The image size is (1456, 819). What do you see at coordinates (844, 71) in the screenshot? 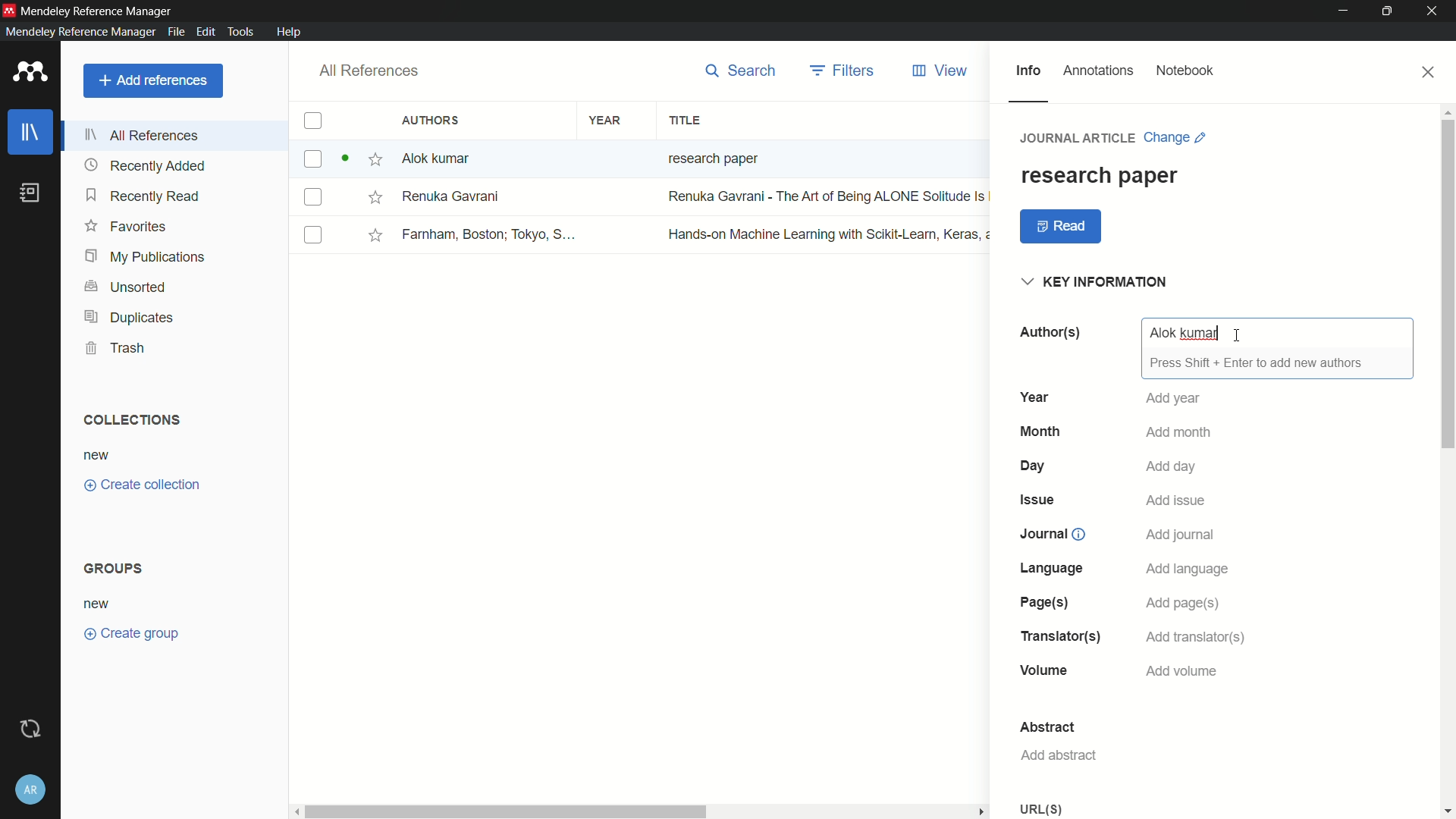
I see `filters` at bounding box center [844, 71].